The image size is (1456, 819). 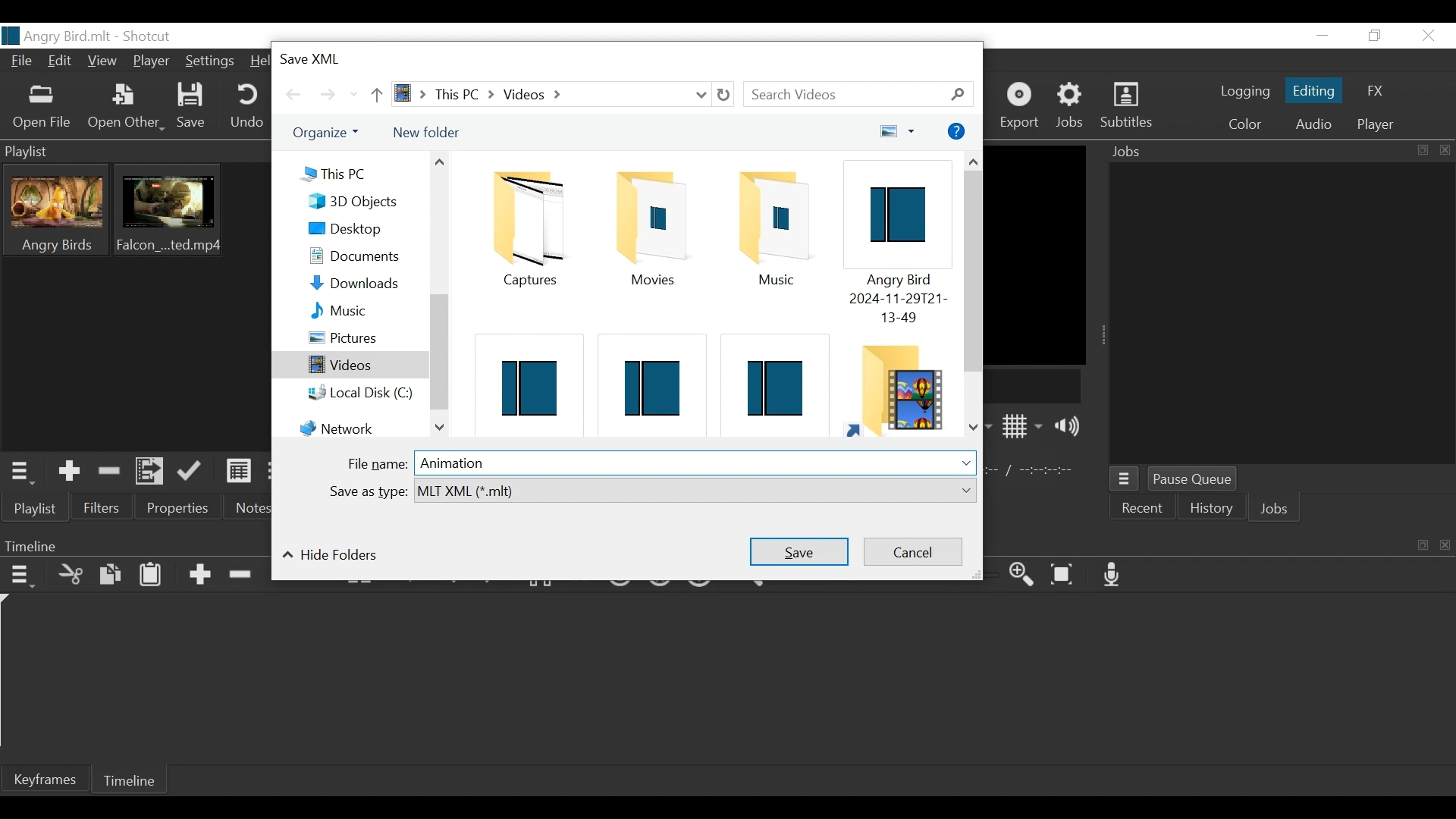 What do you see at coordinates (362, 255) in the screenshot?
I see `Documents` at bounding box center [362, 255].